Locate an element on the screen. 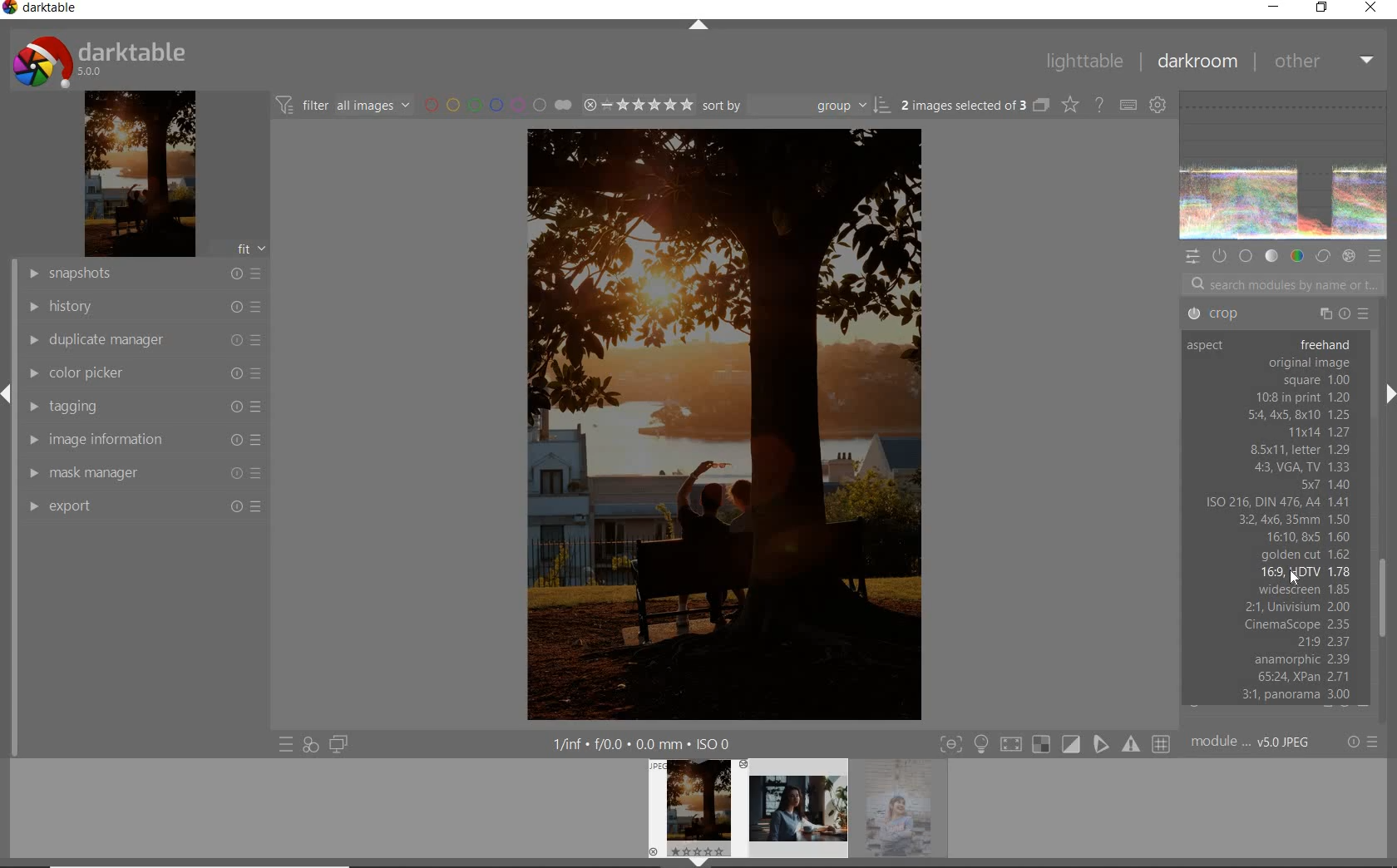 Image resolution: width=1397 pixels, height=868 pixels. image preview is located at coordinates (797, 813).